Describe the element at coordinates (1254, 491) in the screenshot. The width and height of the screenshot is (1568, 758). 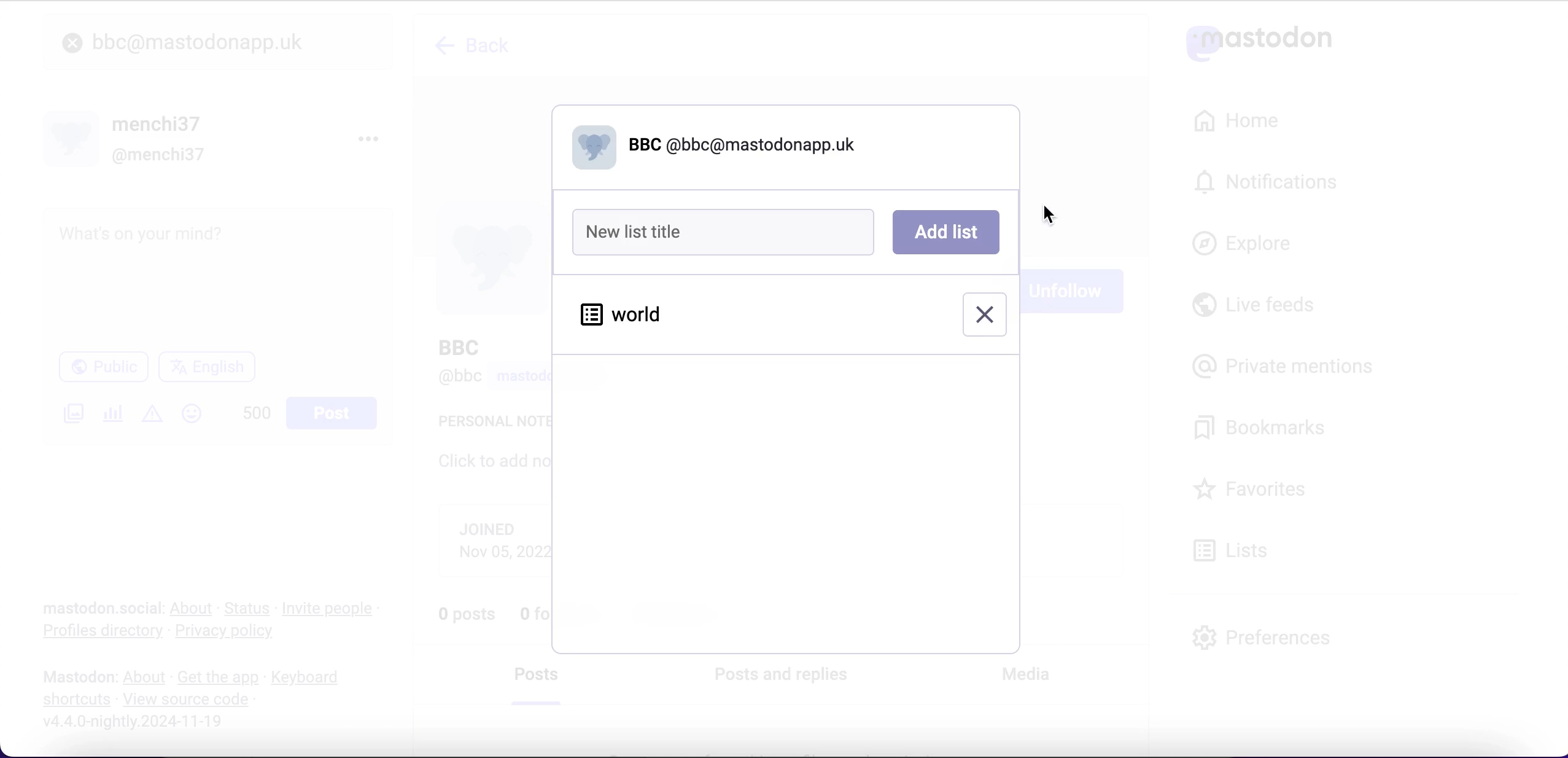
I see `favorites` at that location.